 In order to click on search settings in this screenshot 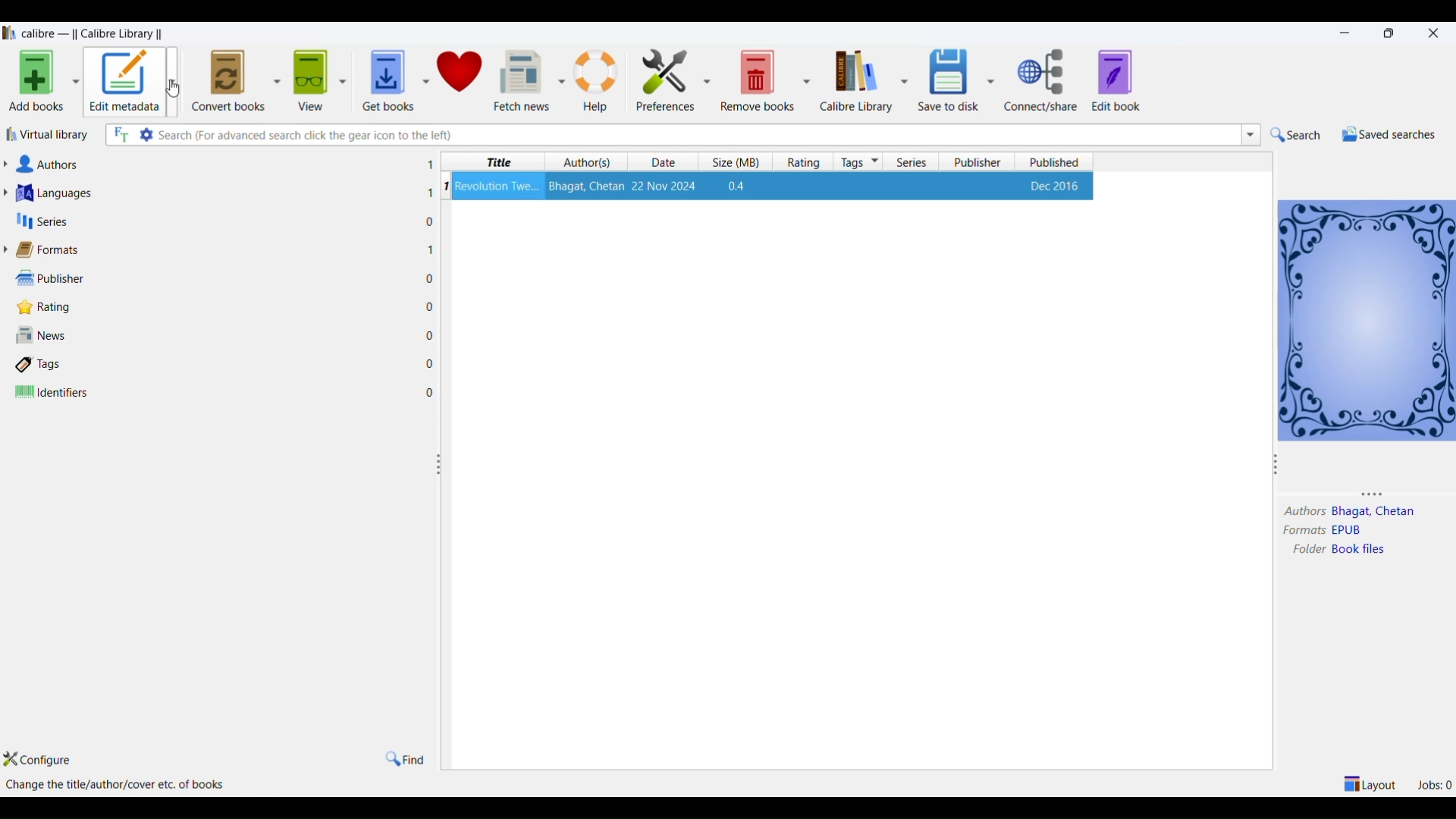, I will do `click(147, 134)`.